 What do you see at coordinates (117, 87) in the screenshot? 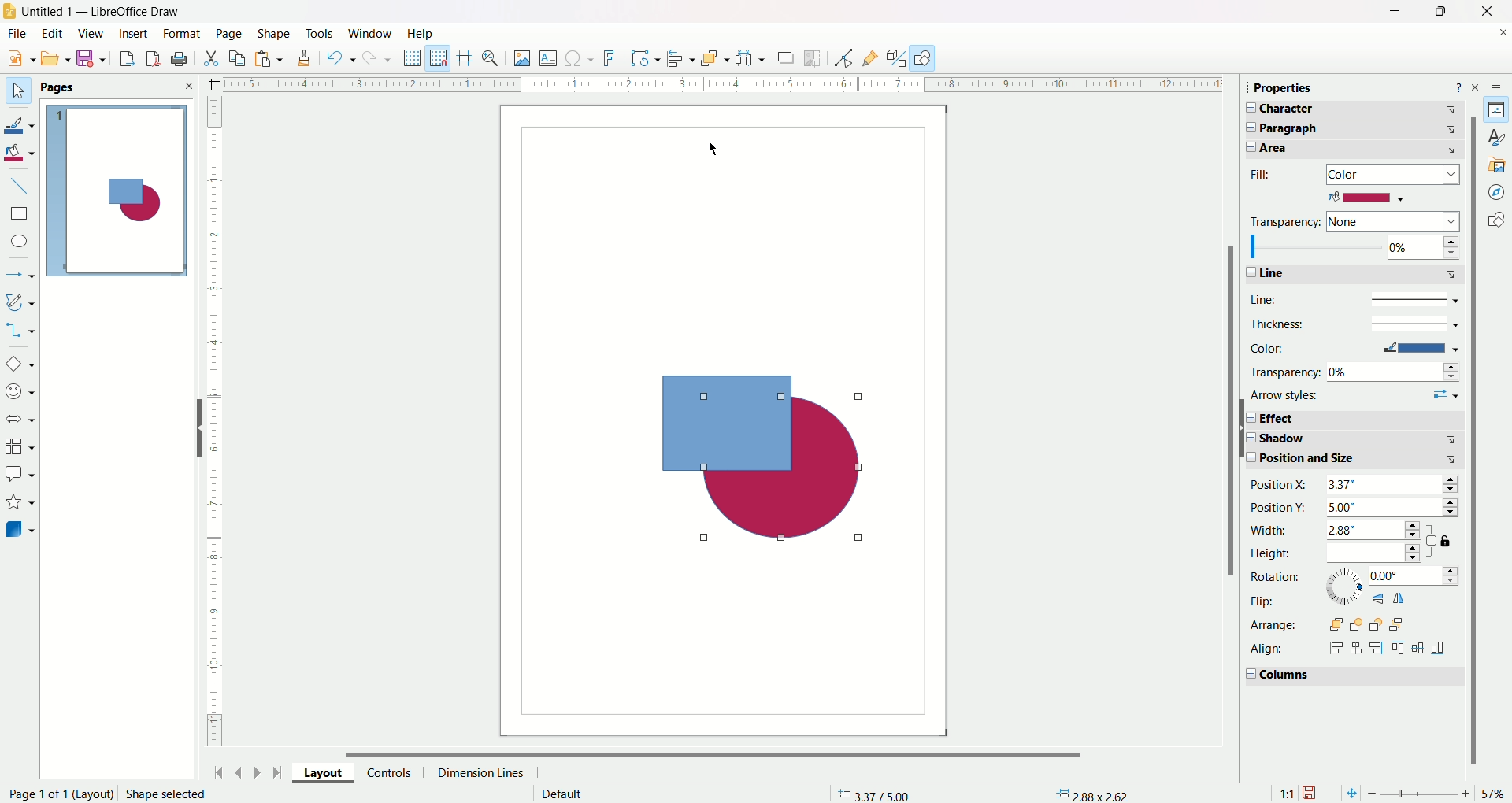
I see `pages` at bounding box center [117, 87].